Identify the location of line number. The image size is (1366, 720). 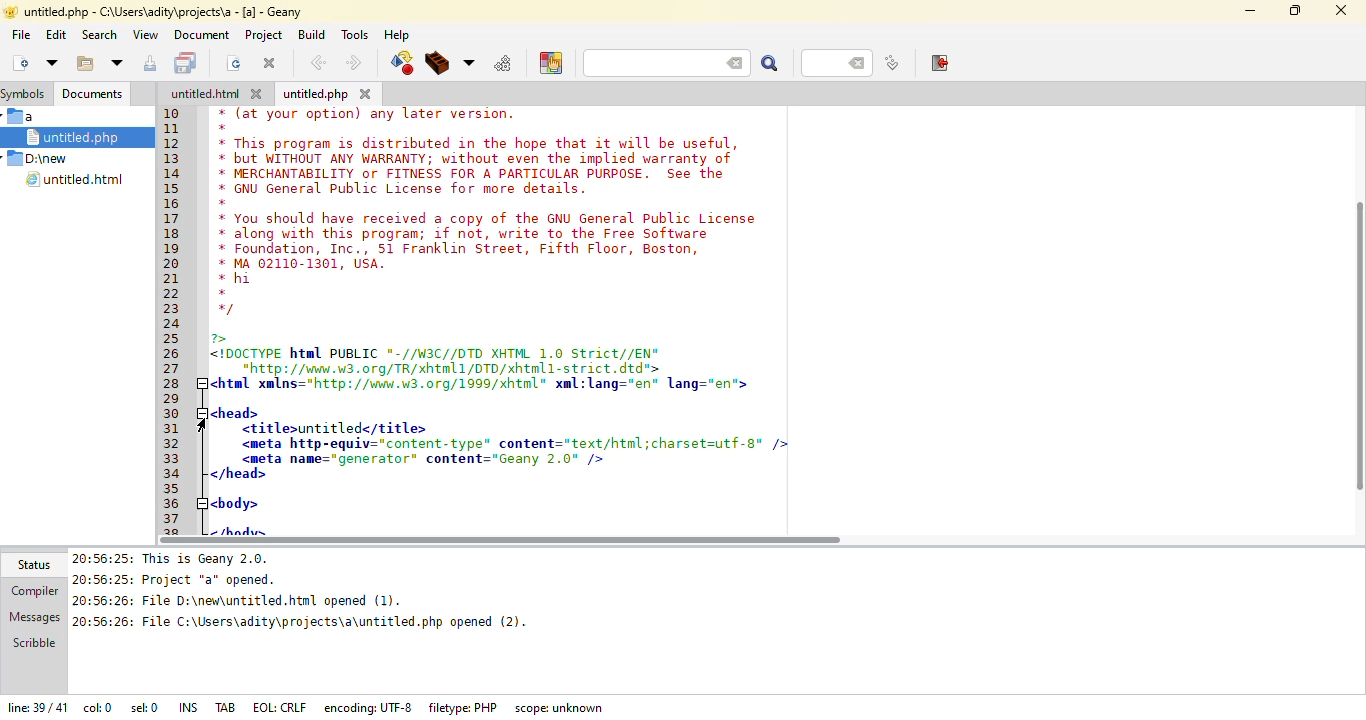
(176, 320).